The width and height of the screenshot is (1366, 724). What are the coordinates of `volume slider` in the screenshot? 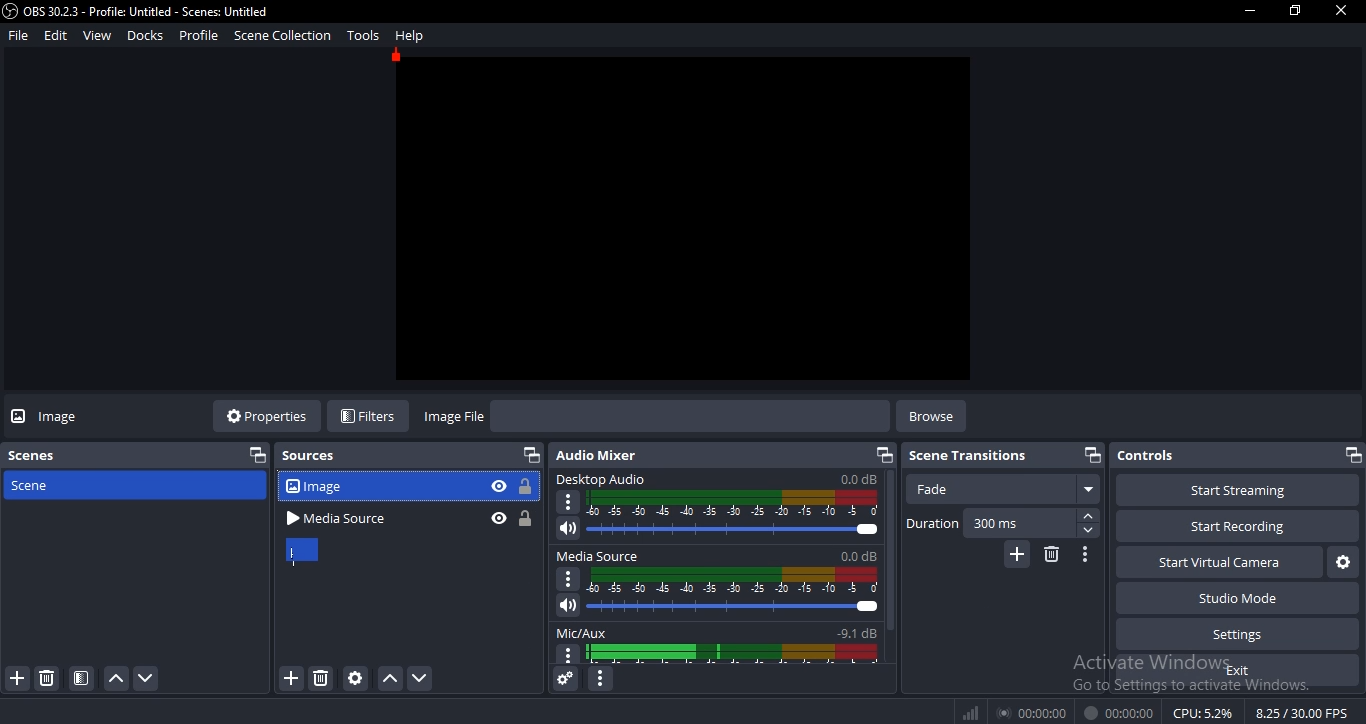 It's located at (719, 607).